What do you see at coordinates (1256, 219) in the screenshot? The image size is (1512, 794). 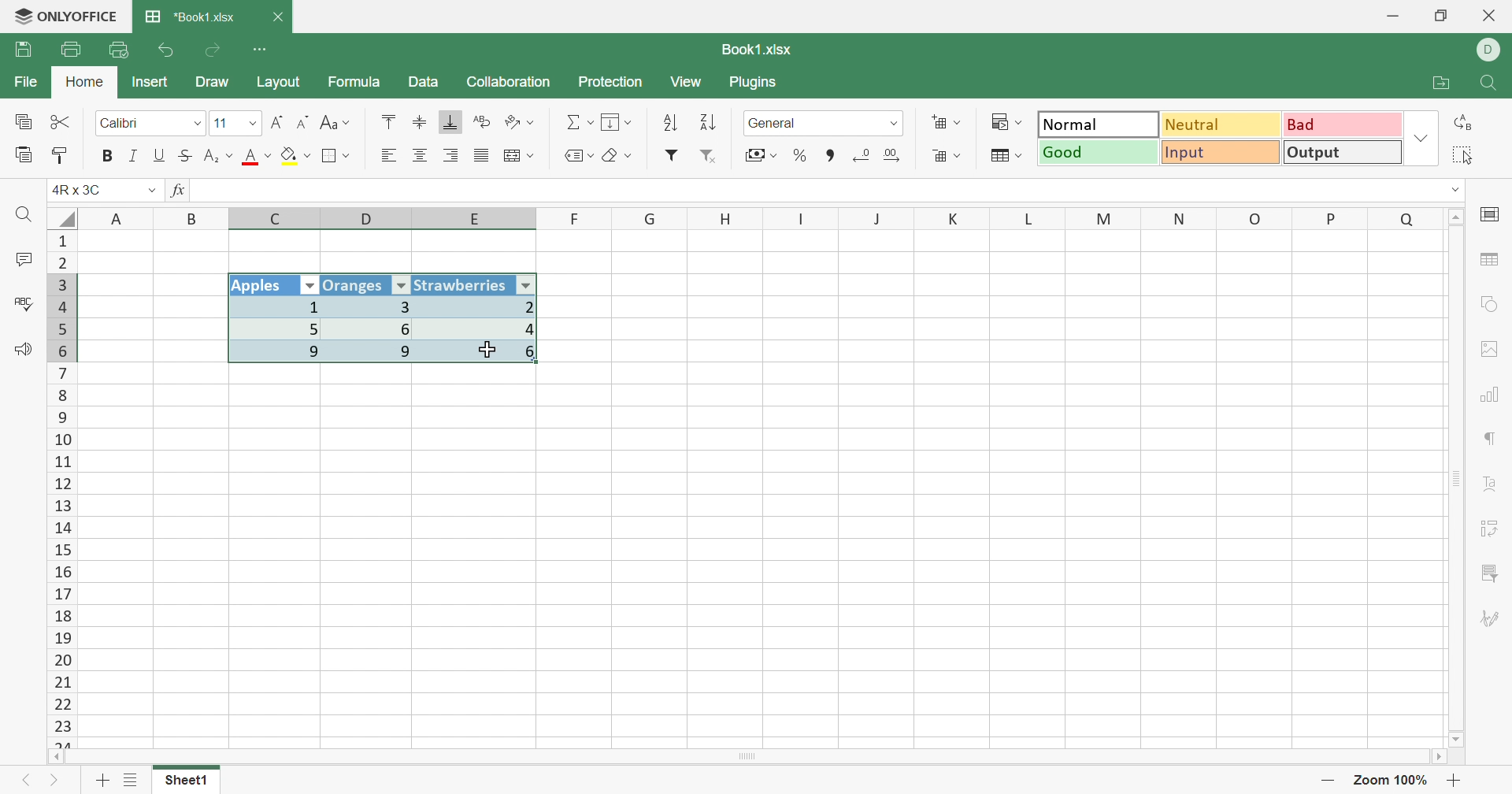 I see `O` at bounding box center [1256, 219].